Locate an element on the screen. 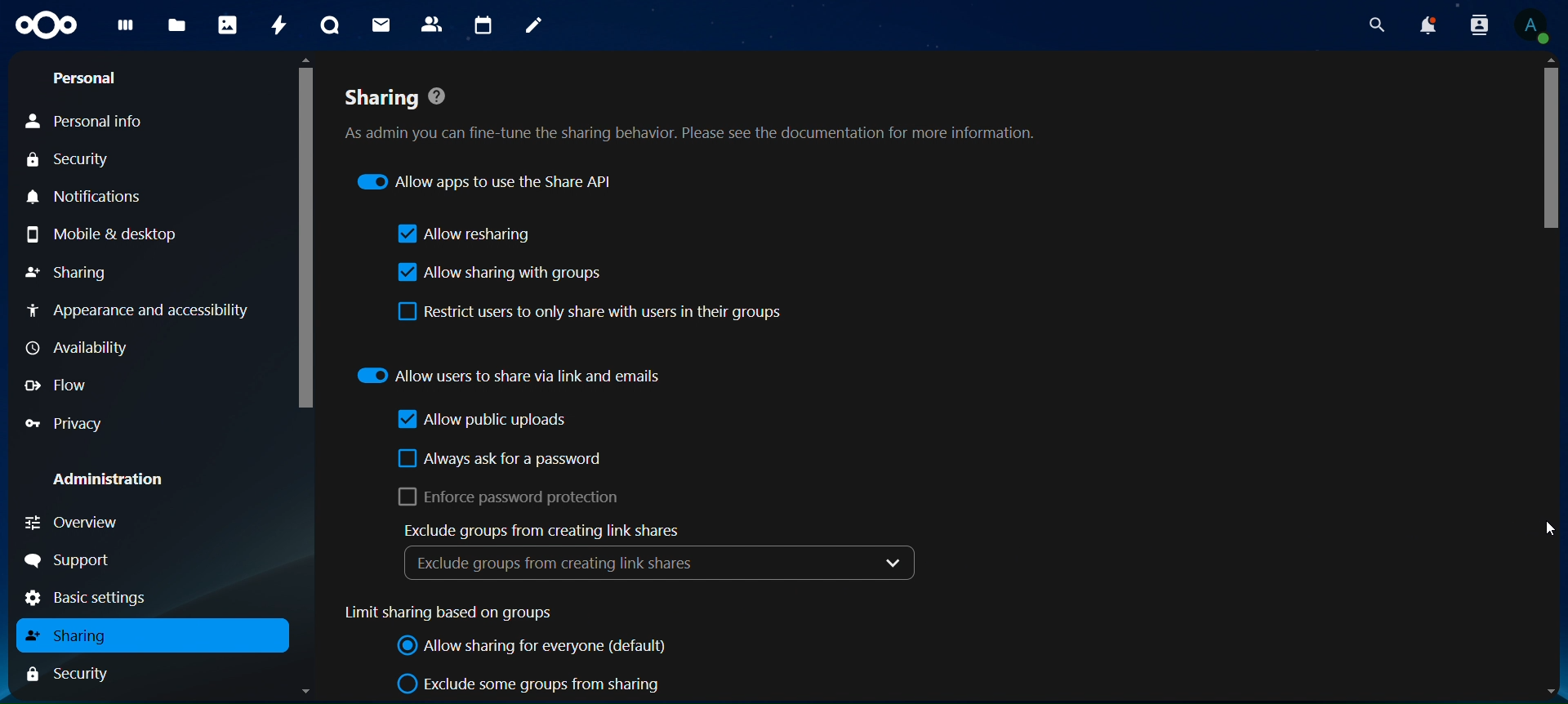  restrict users to only share with users in their groups is located at coordinates (593, 311).